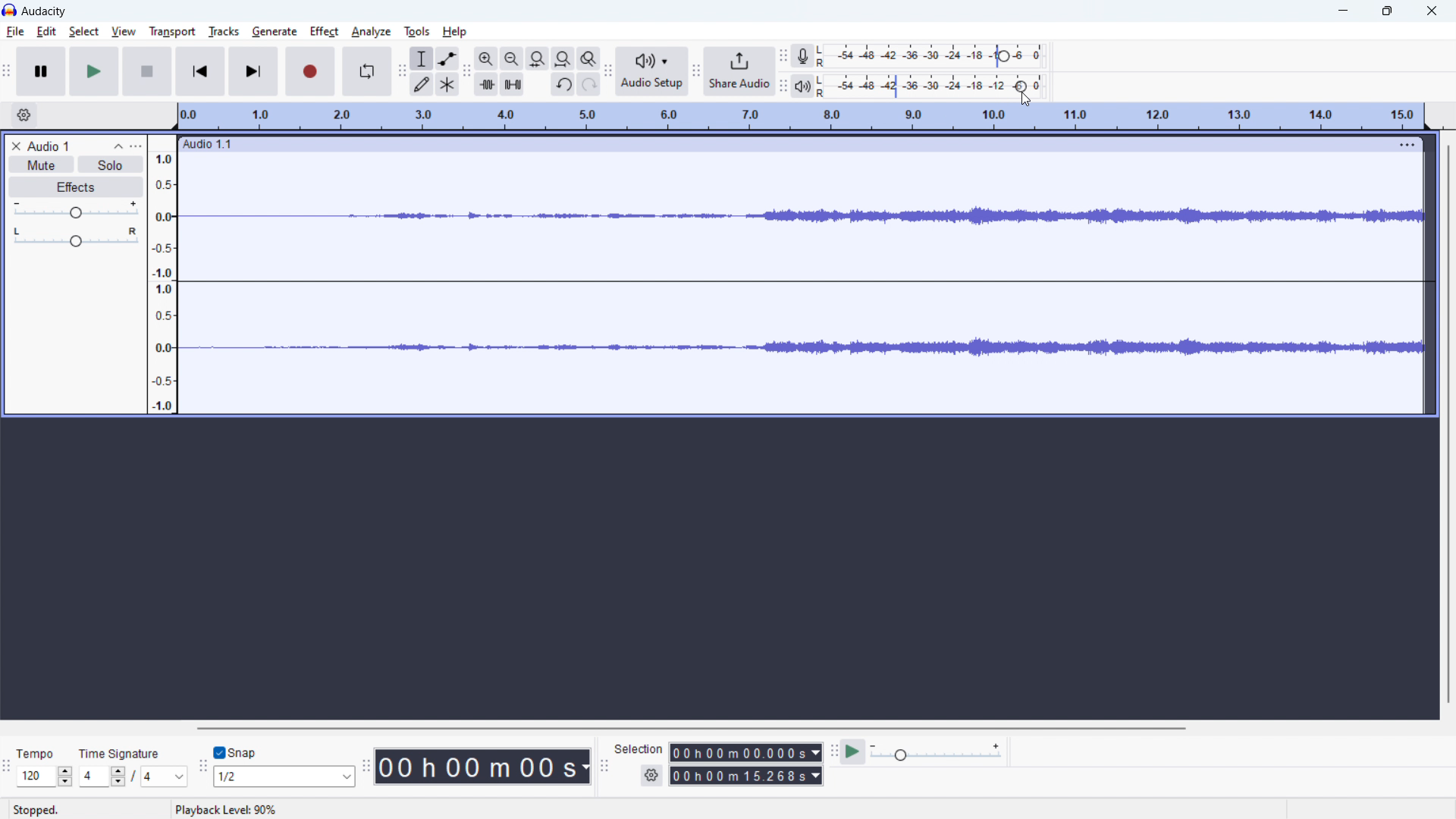  I want to click on stop, so click(146, 71).